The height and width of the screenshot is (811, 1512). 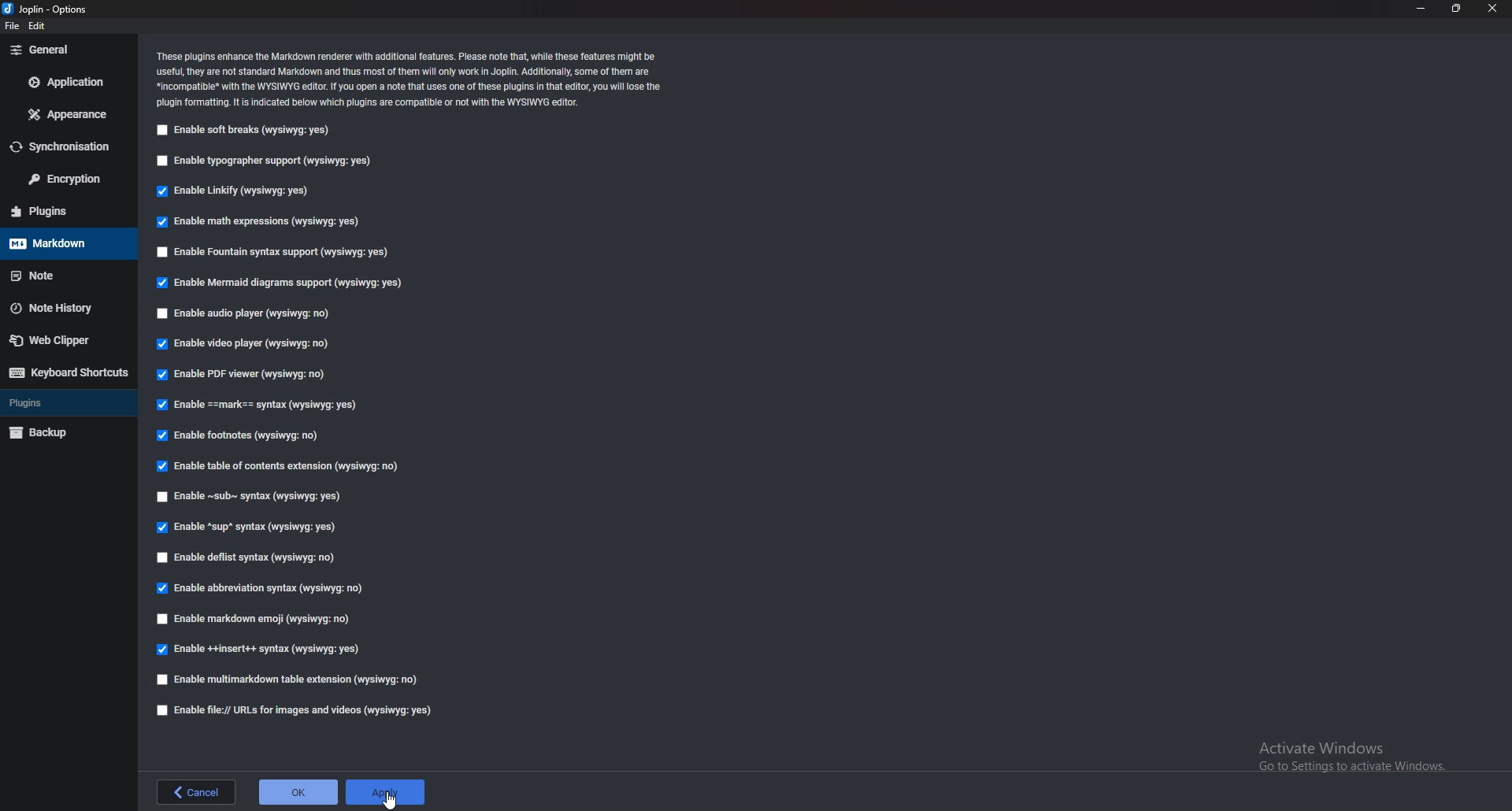 What do you see at coordinates (1493, 9) in the screenshot?
I see `close` at bounding box center [1493, 9].